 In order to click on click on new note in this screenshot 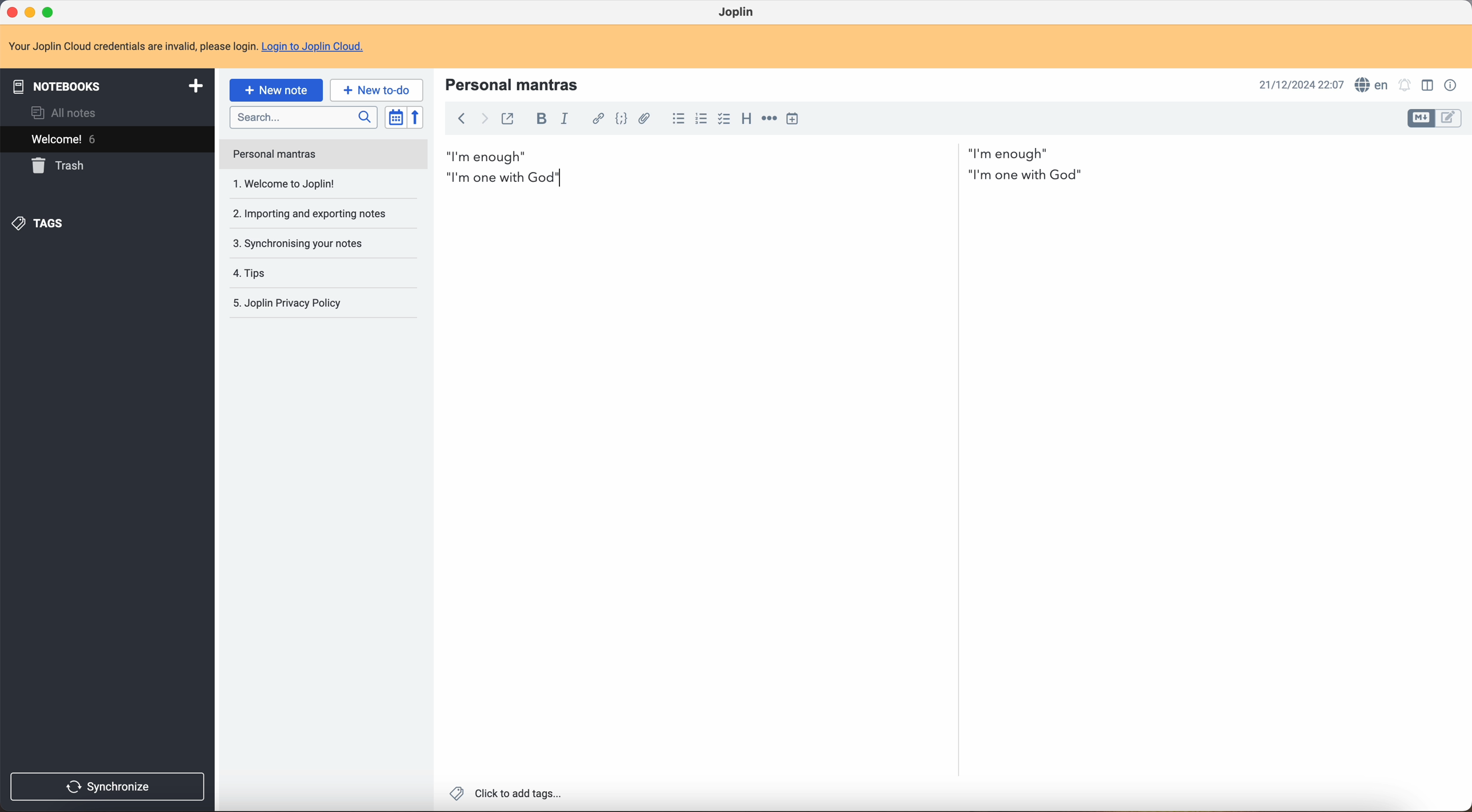, I will do `click(277, 91)`.